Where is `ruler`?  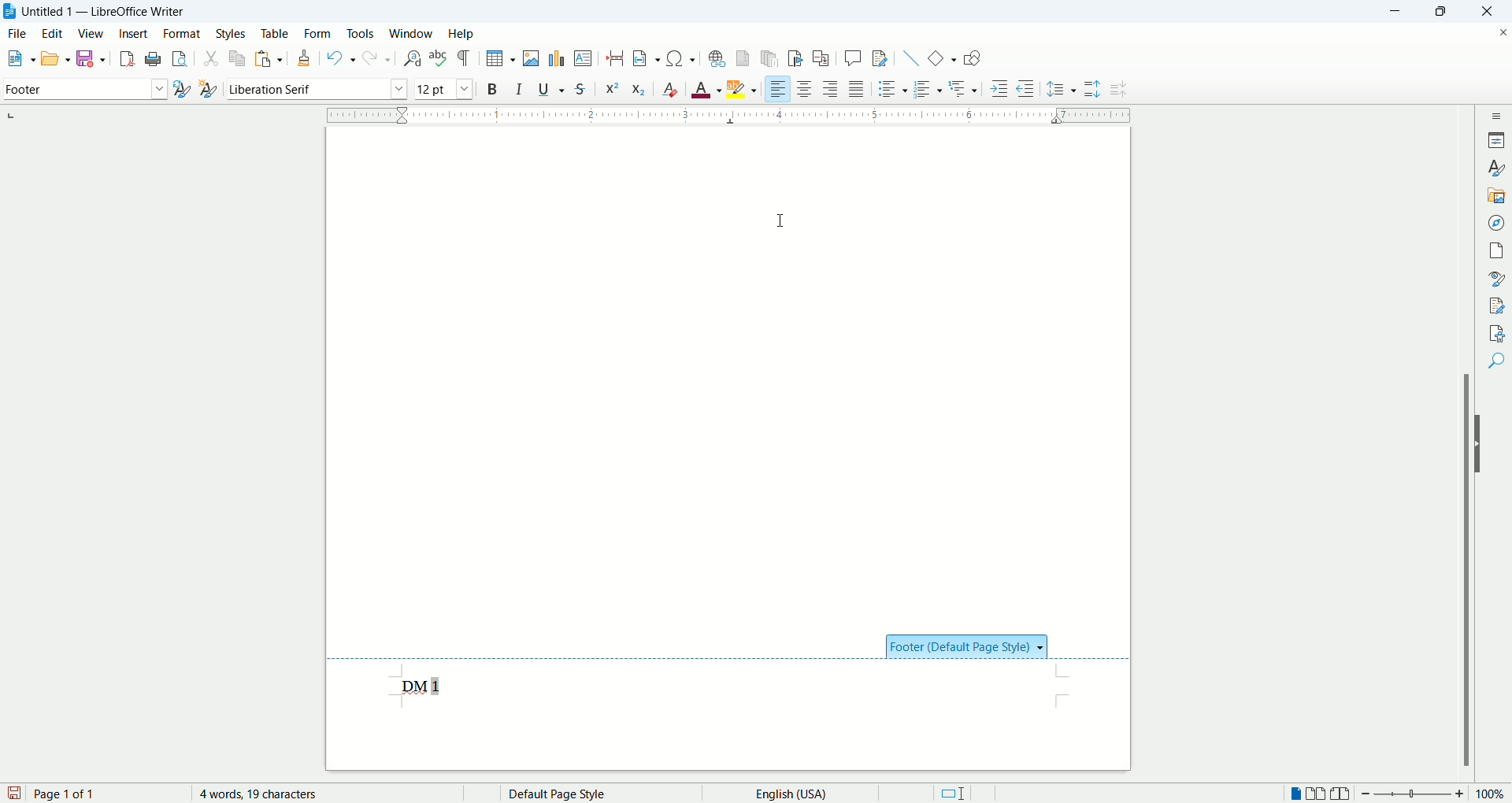
ruler is located at coordinates (728, 113).